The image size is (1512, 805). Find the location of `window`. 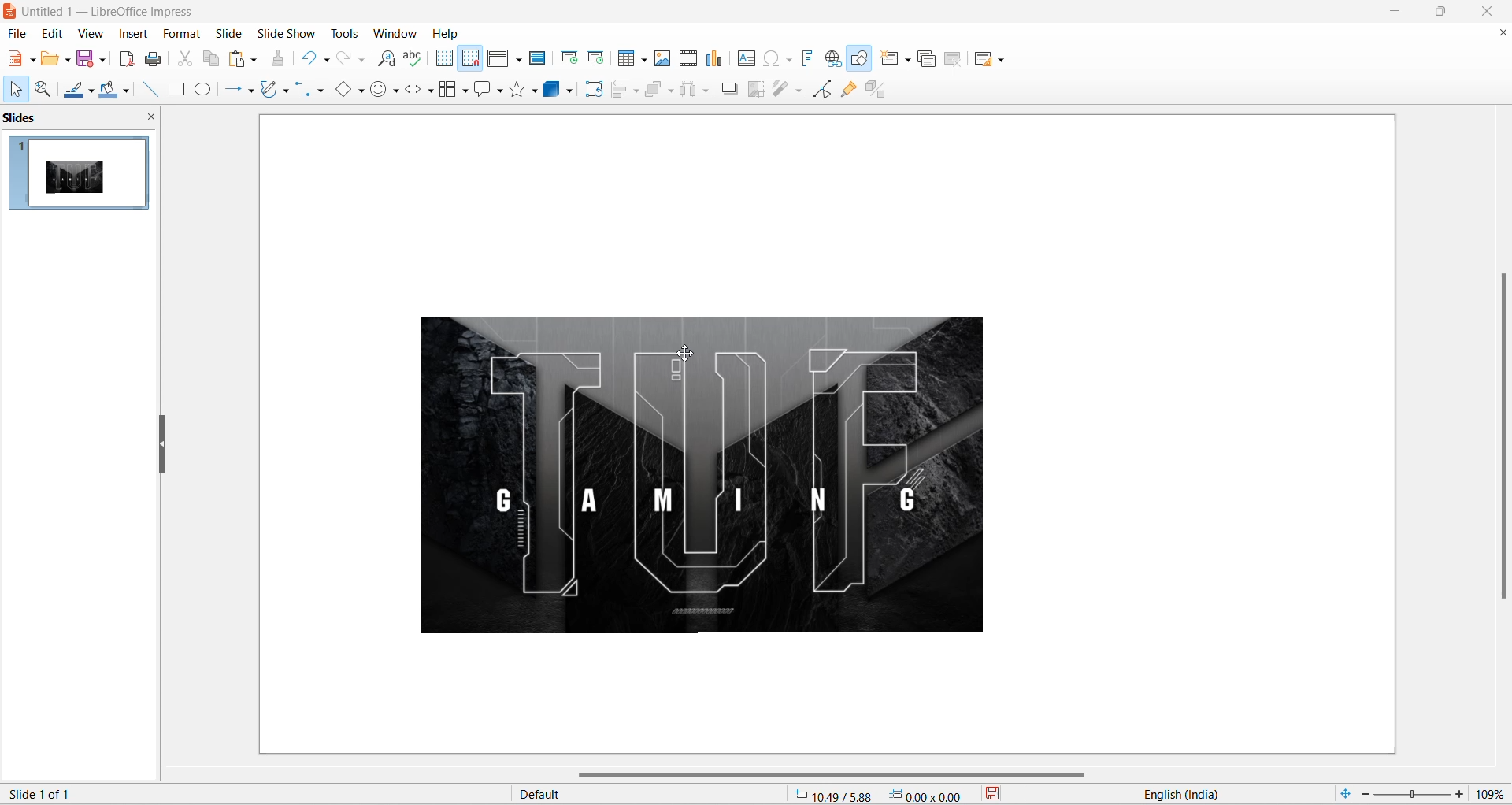

window is located at coordinates (398, 33).